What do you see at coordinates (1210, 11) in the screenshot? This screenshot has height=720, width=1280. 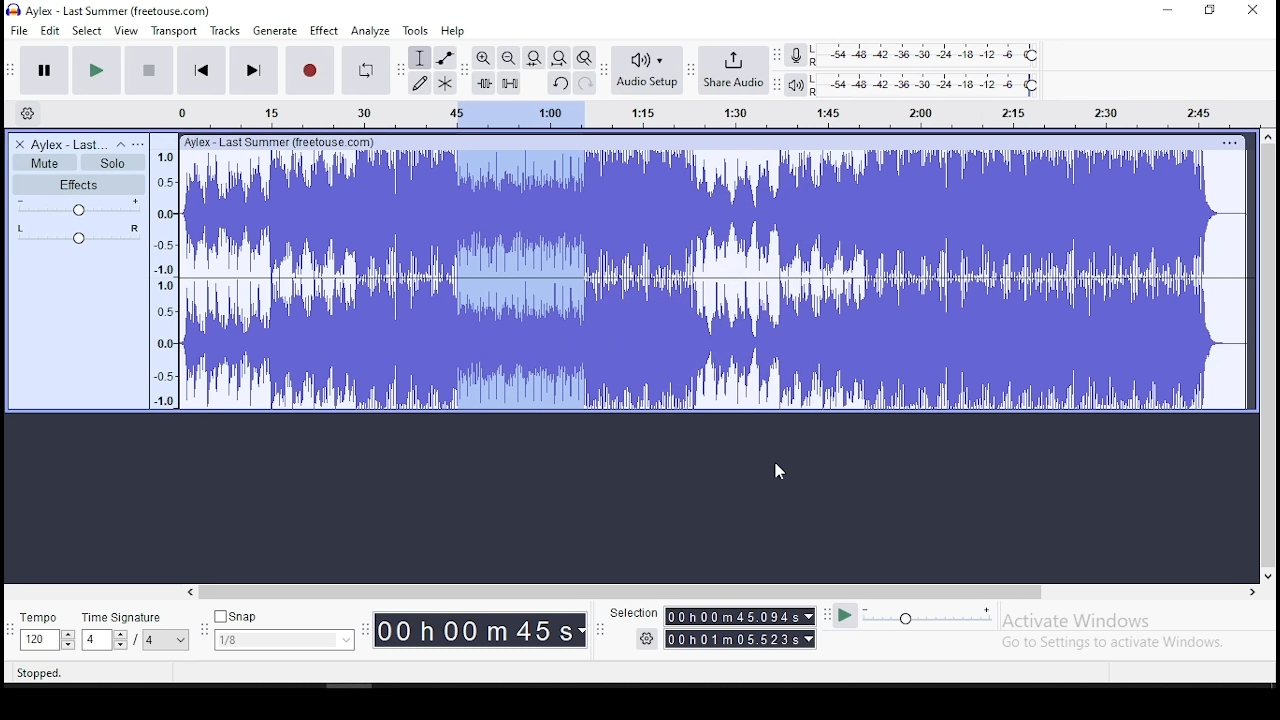 I see `restore` at bounding box center [1210, 11].